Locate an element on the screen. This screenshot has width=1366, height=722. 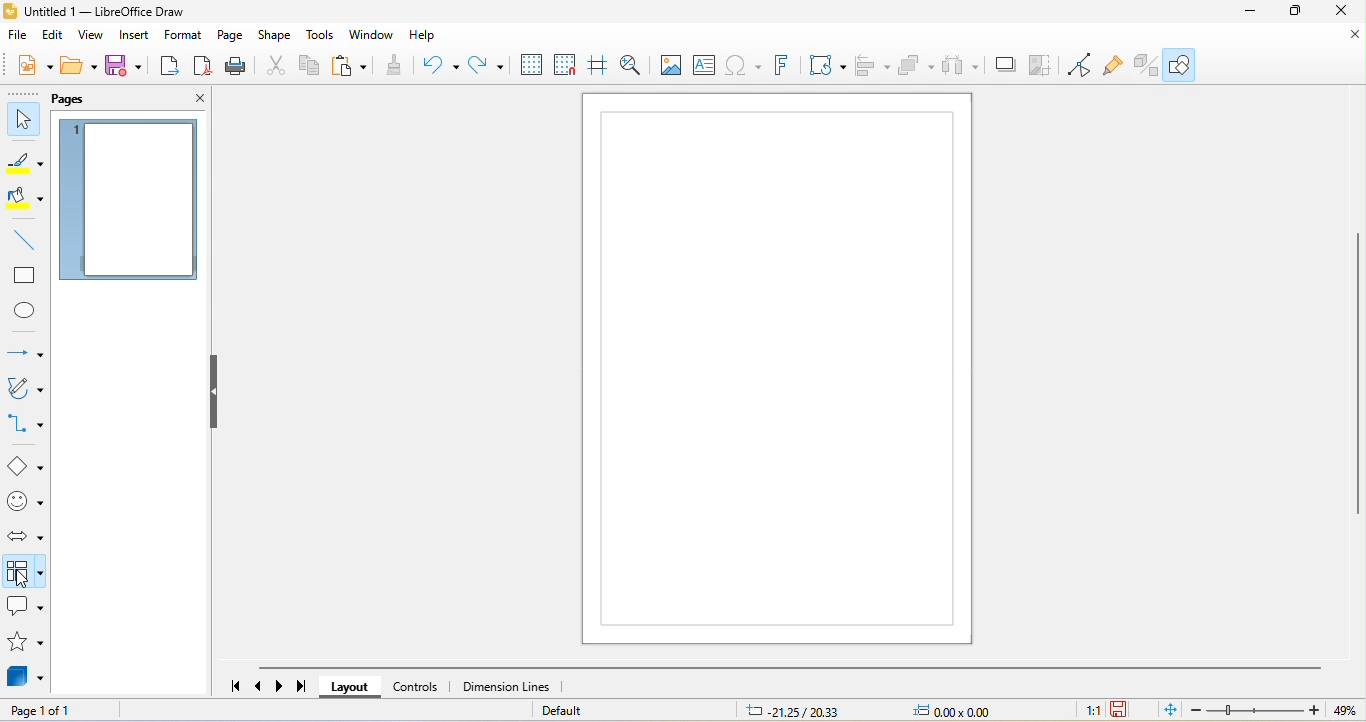
select is located at coordinates (24, 120).